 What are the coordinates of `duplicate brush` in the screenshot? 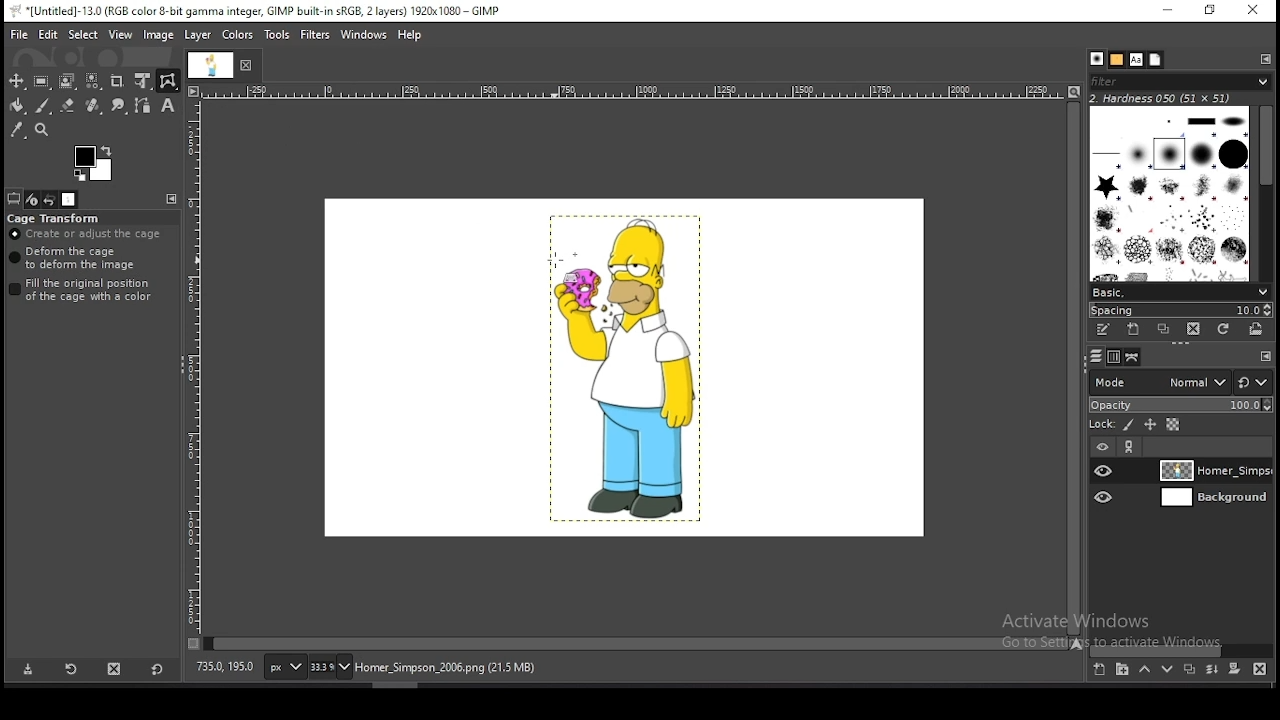 It's located at (1168, 331).